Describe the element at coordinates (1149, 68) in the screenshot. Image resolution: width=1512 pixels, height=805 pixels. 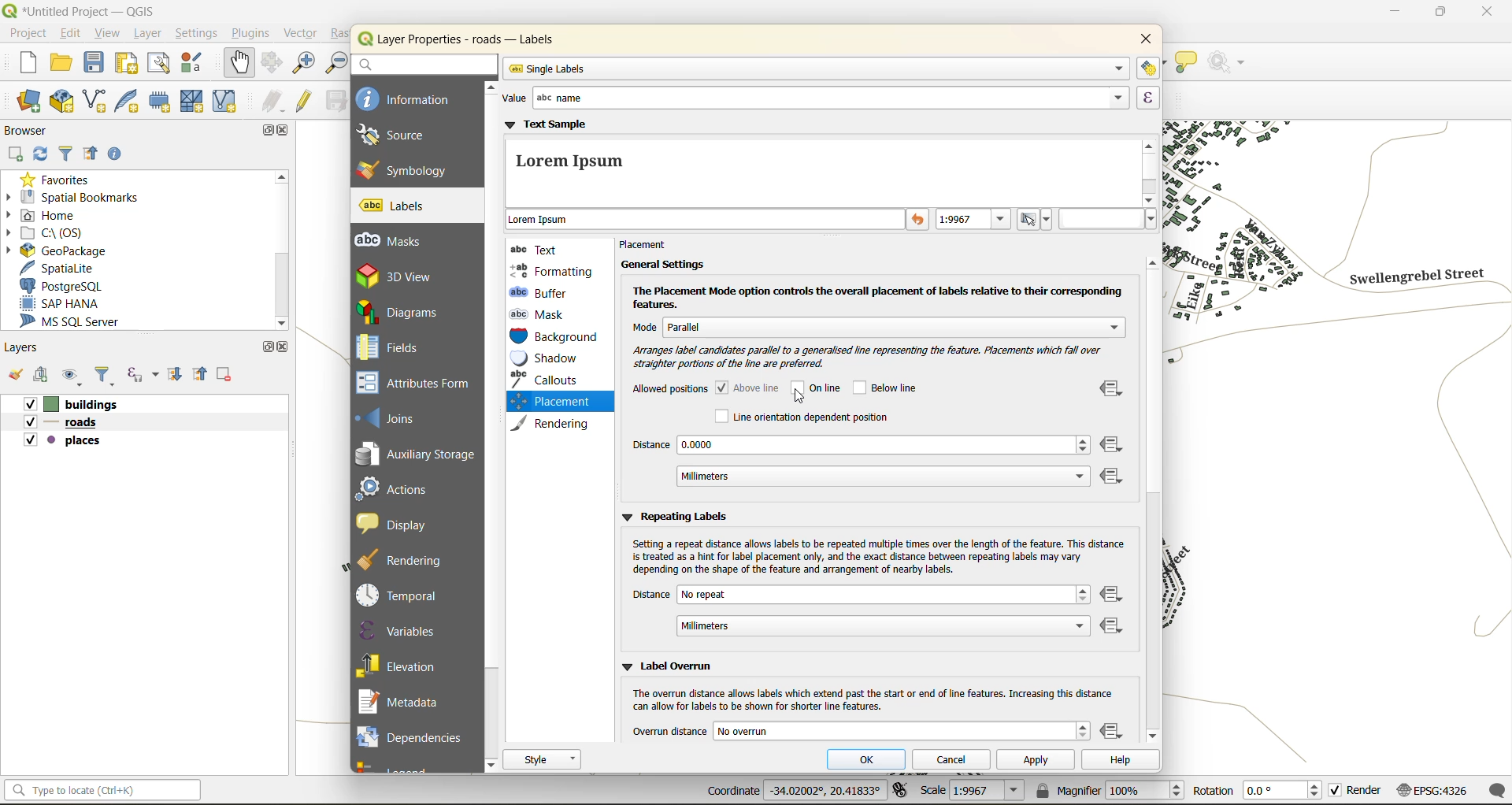
I see `automated placement settings` at that location.